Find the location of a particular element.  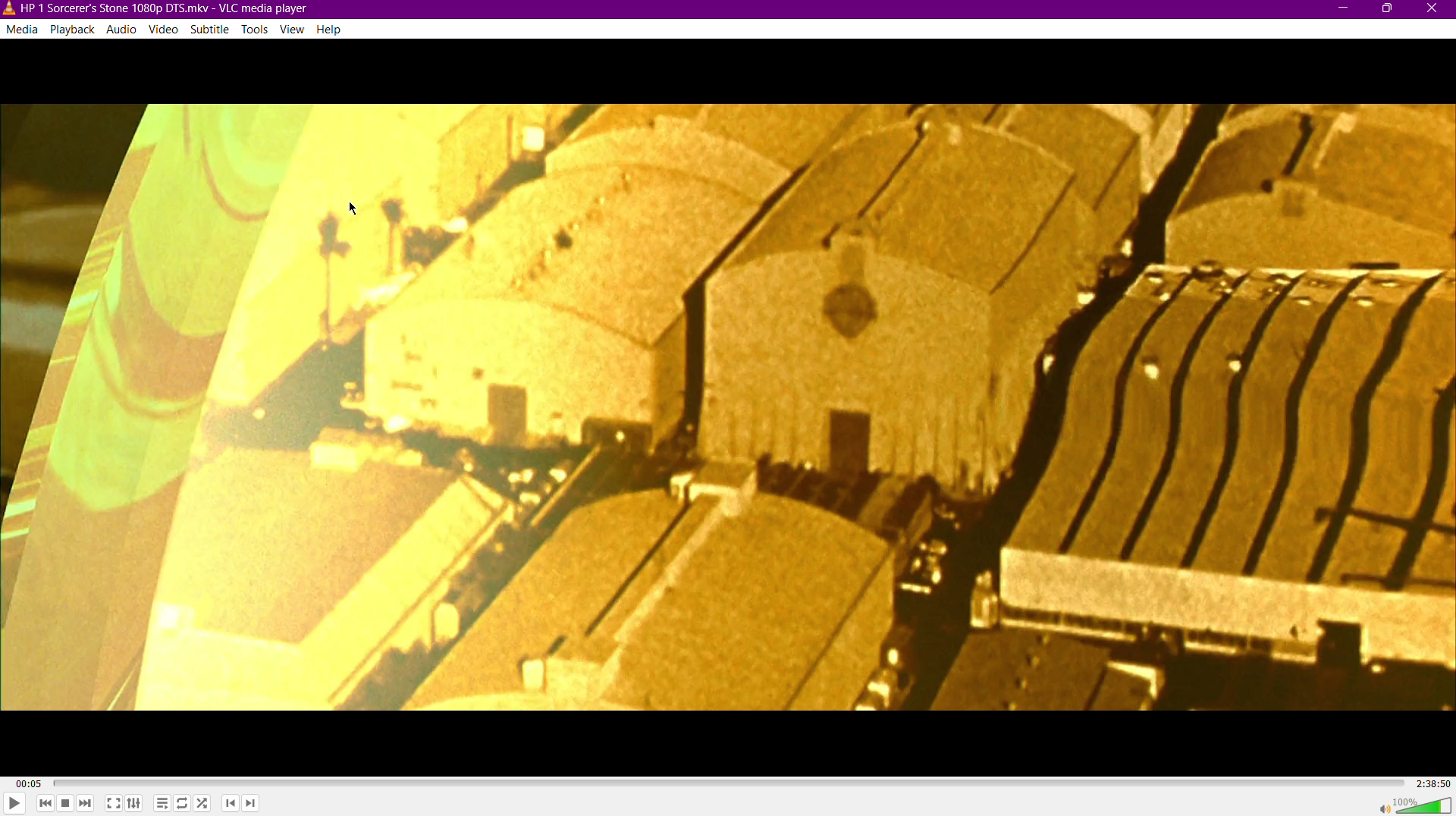

Toggle playlist is located at coordinates (162, 804).